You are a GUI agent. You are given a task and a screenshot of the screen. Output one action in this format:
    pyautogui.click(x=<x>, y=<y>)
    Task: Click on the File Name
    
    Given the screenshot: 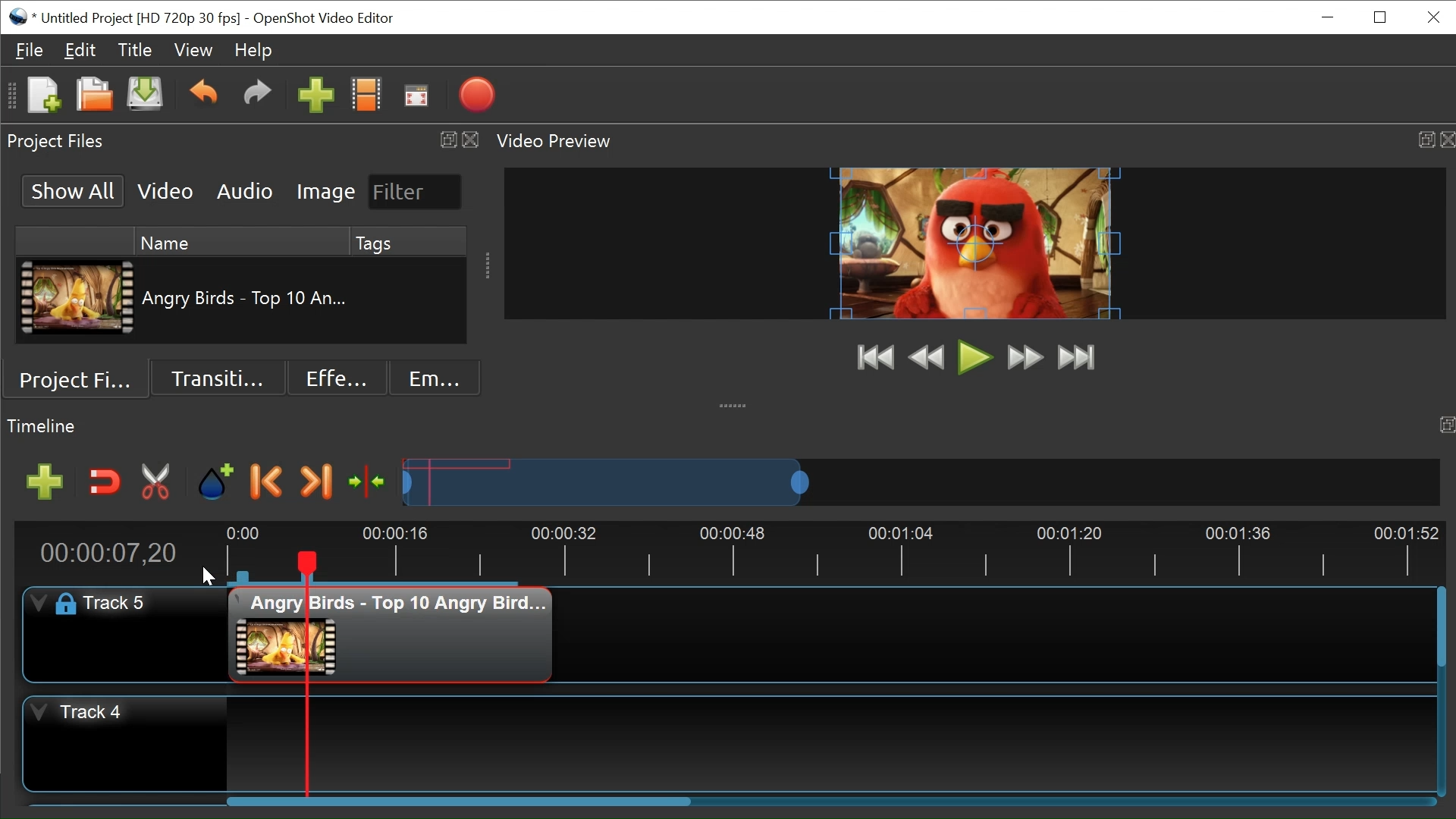 What is the action you would take?
    pyautogui.click(x=142, y=19)
    